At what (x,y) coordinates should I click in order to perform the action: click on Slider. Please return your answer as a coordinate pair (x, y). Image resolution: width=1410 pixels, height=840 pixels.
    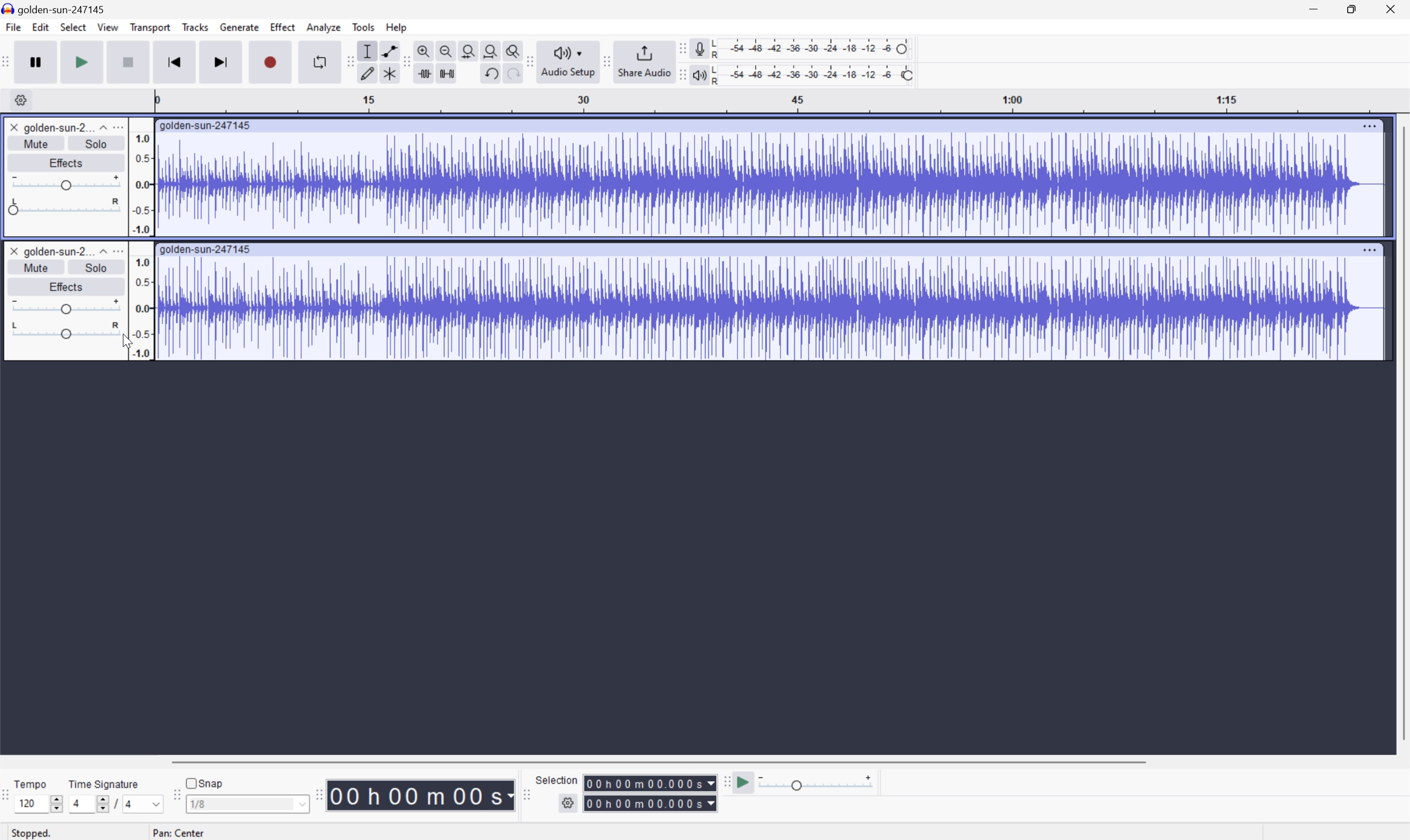
    Looking at the image, I should click on (65, 207).